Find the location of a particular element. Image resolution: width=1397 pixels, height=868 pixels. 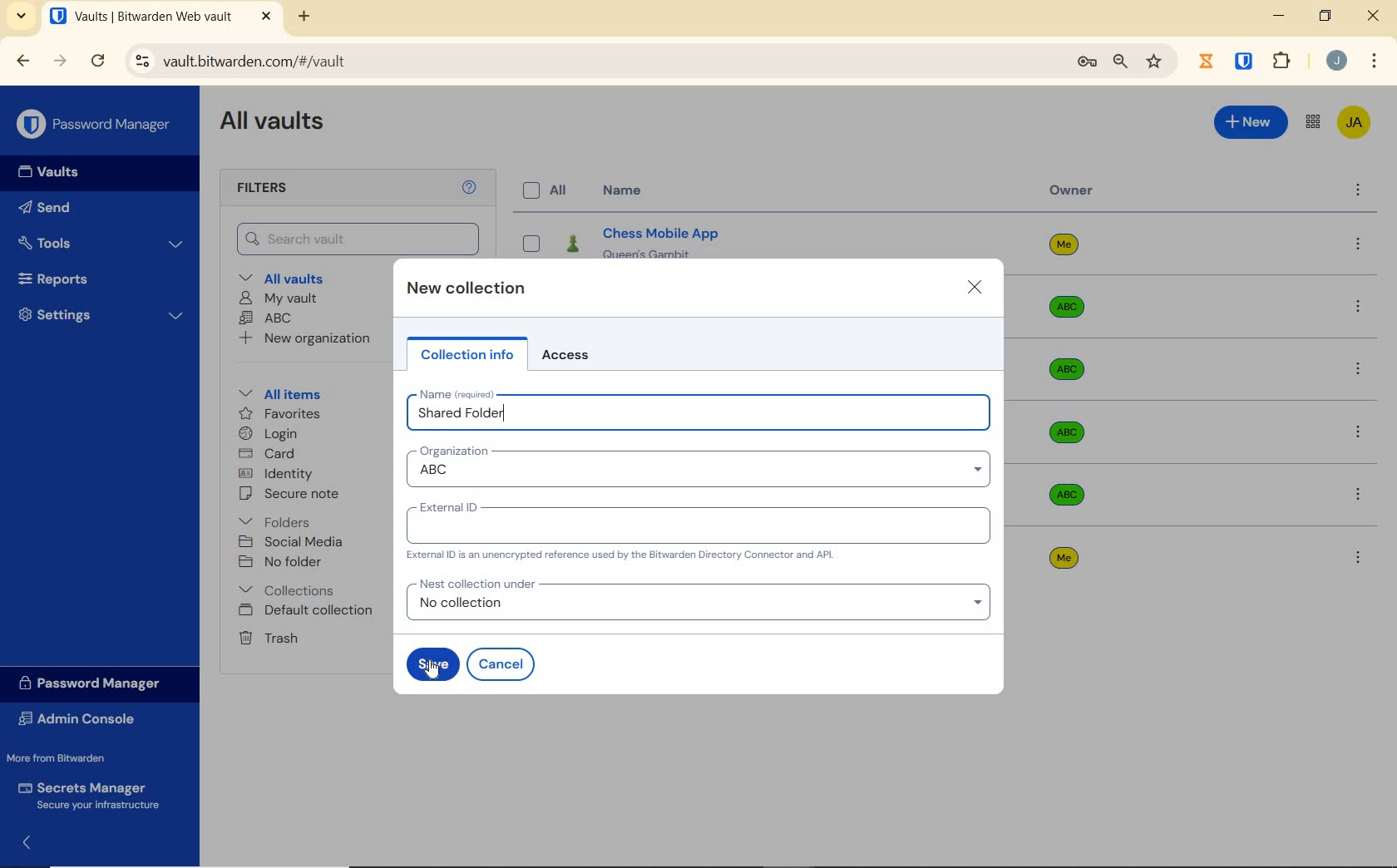

Name is located at coordinates (621, 191).